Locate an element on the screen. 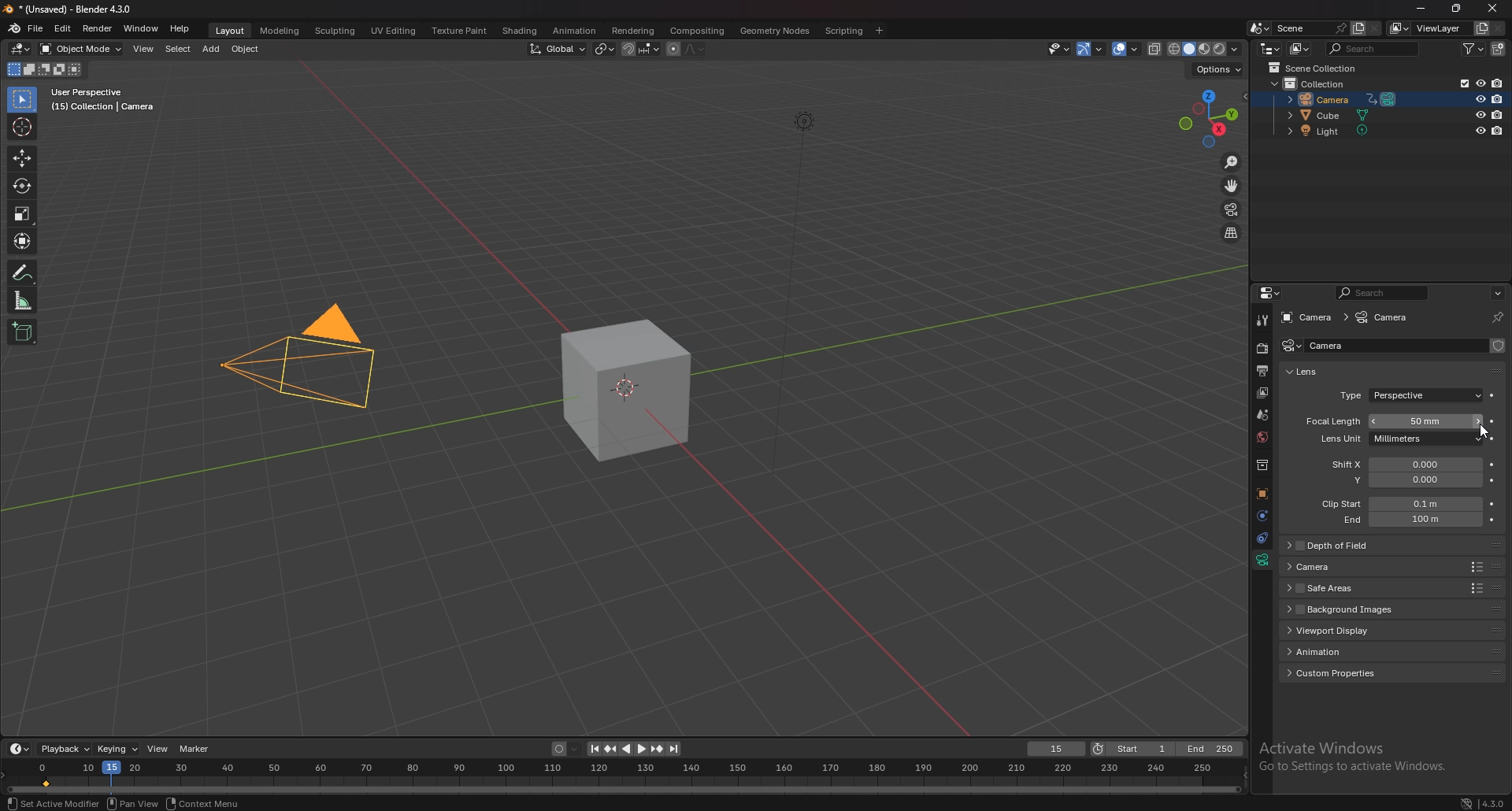  search is located at coordinates (1373, 48).